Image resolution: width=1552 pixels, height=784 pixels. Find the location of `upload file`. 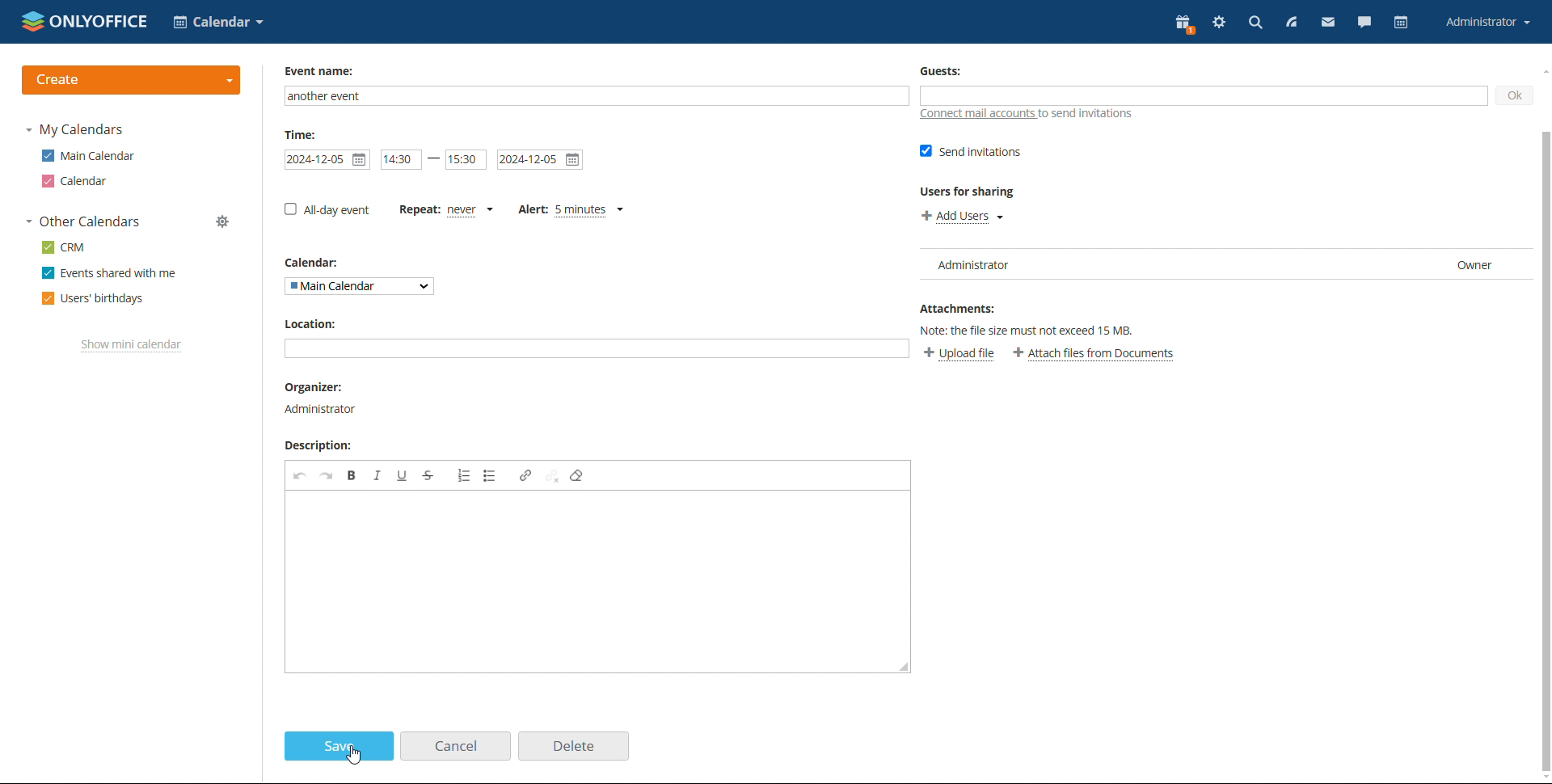

upload file is located at coordinates (961, 352).